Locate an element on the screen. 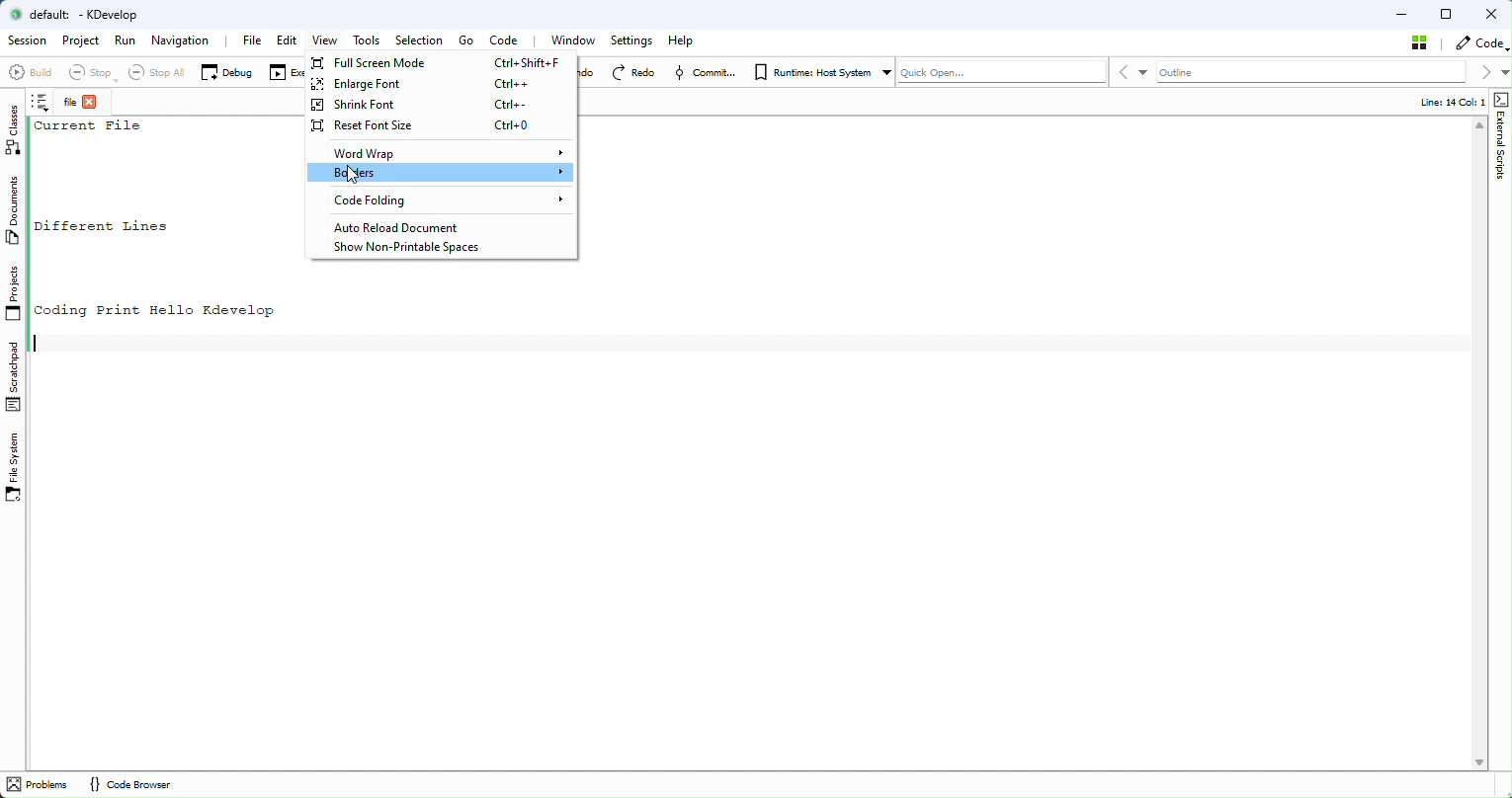 This screenshot has width=1512, height=798. Quick Open is located at coordinates (1001, 71).